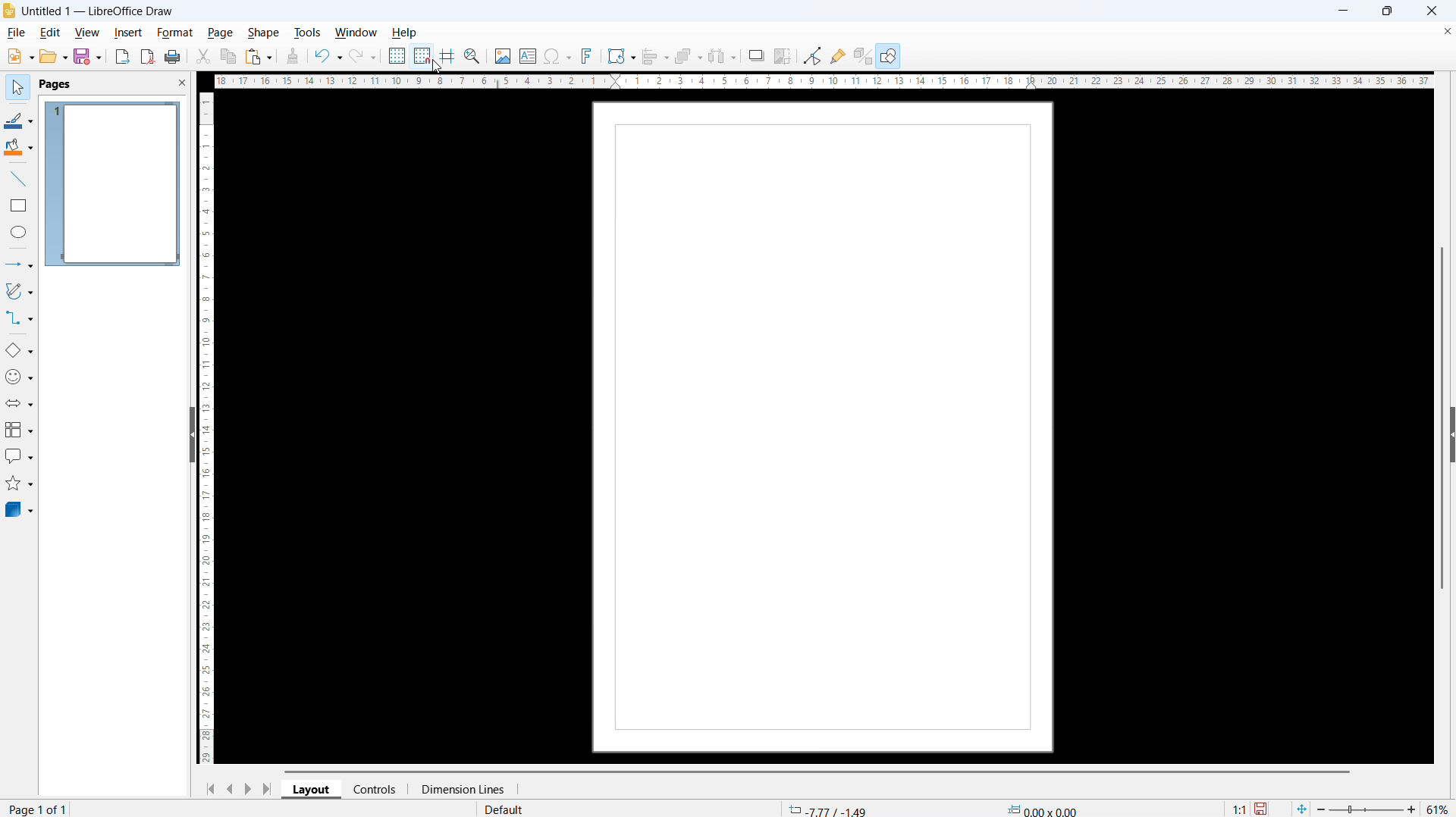 This screenshot has height=817, width=1456. What do you see at coordinates (817, 772) in the screenshot?
I see `Horizontal scroll bar ` at bounding box center [817, 772].